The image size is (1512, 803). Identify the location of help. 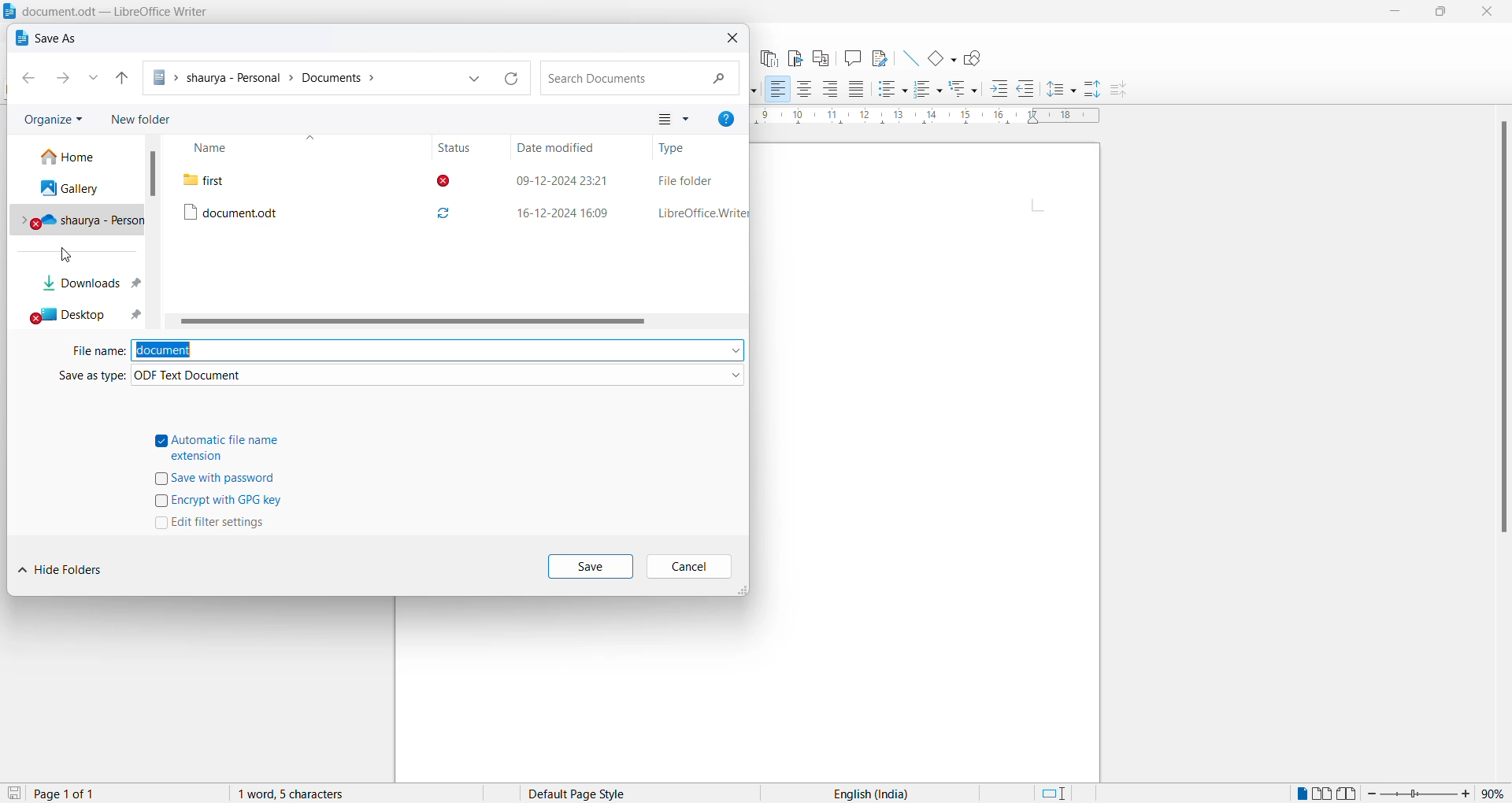
(729, 119).